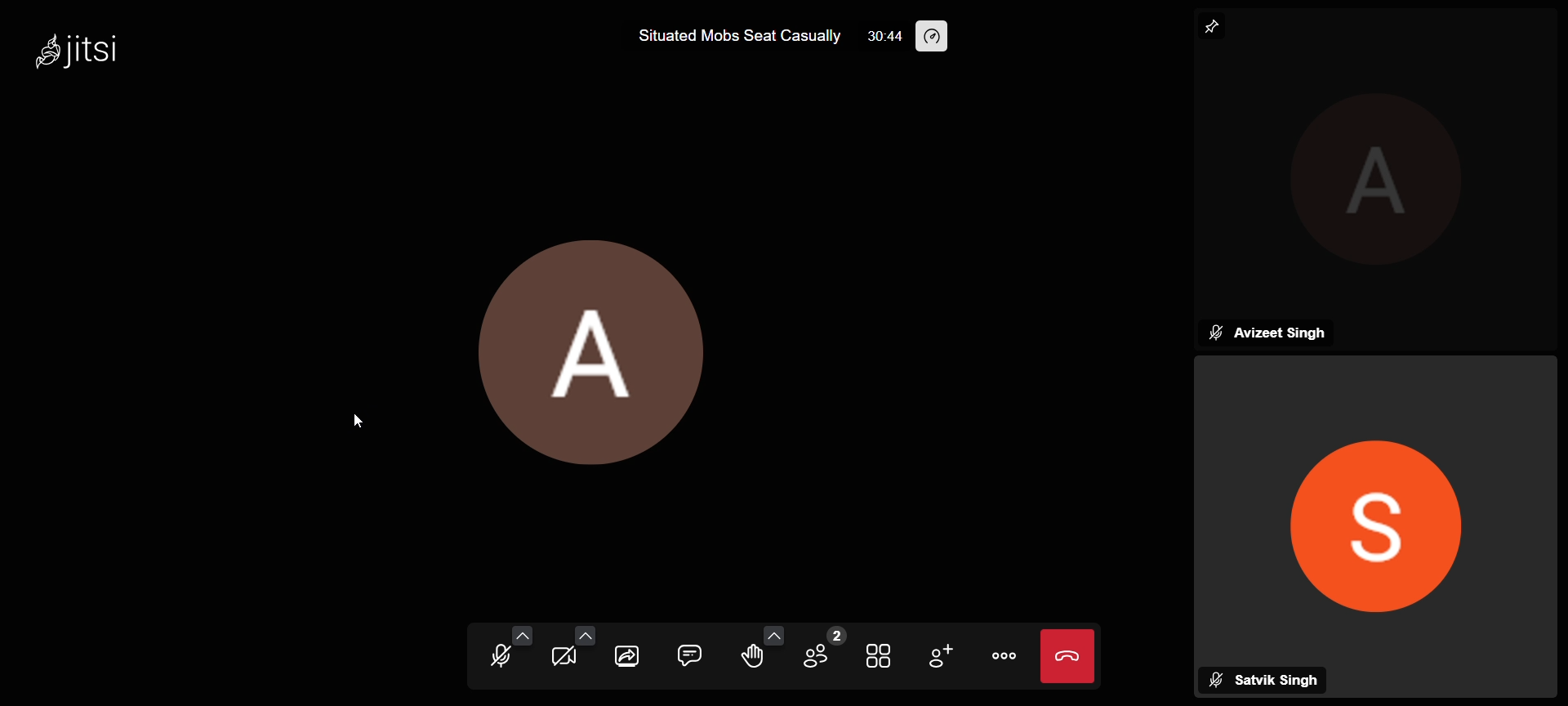 This screenshot has width=1568, height=706. I want to click on audio setting, so click(523, 636).